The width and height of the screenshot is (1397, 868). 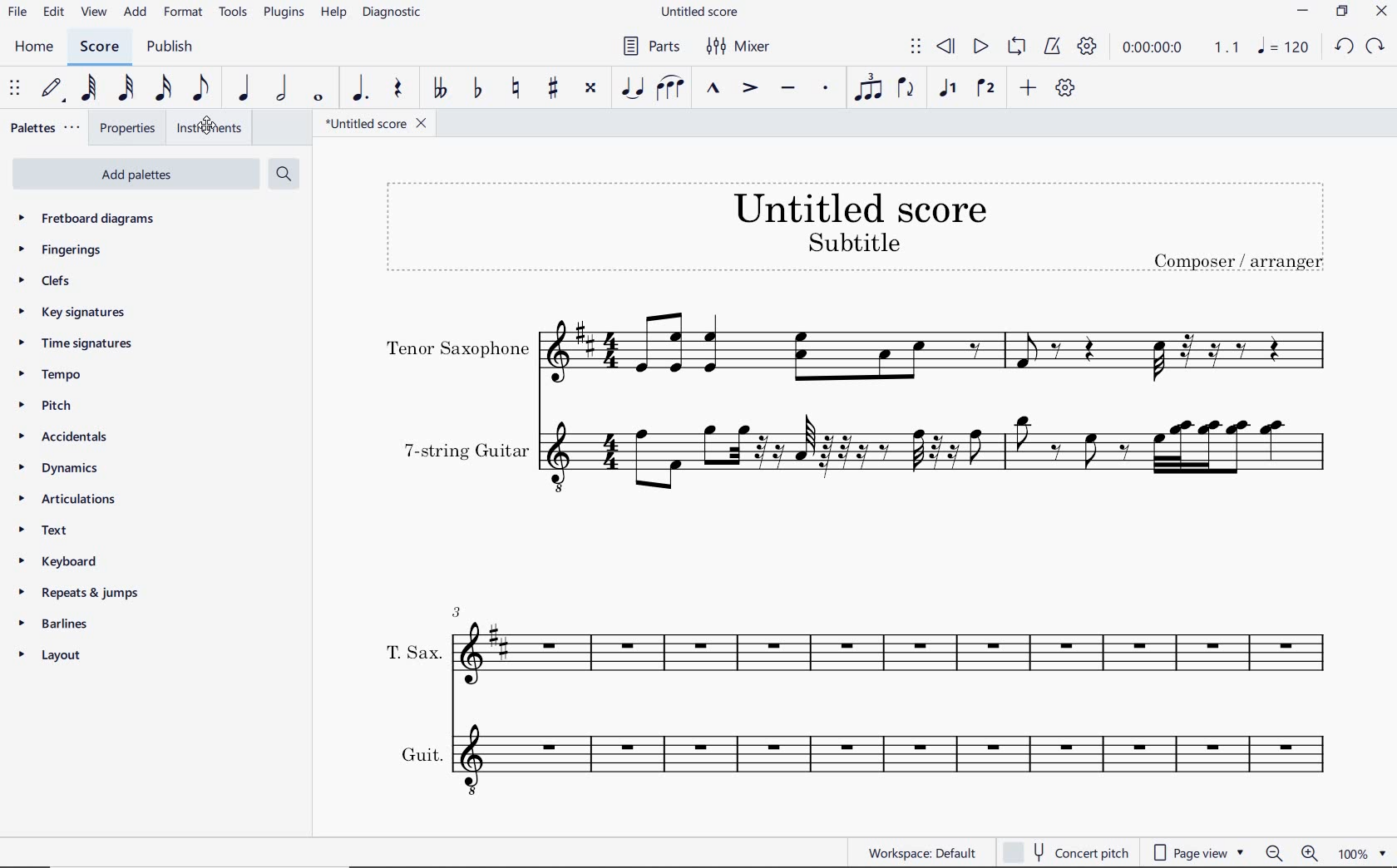 What do you see at coordinates (787, 91) in the screenshot?
I see `TENUTO` at bounding box center [787, 91].